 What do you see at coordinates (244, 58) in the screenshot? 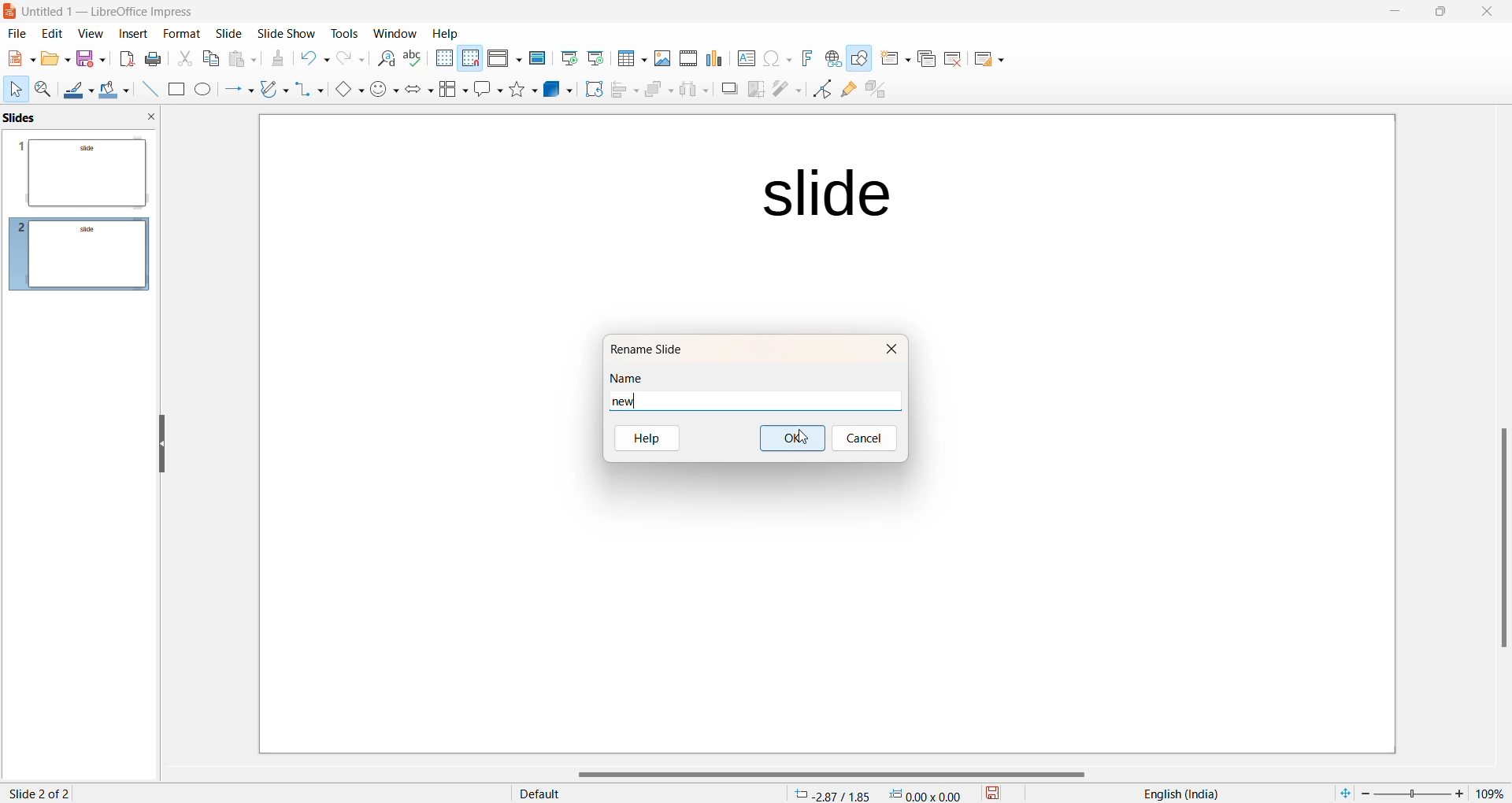
I see `Paste options` at bounding box center [244, 58].